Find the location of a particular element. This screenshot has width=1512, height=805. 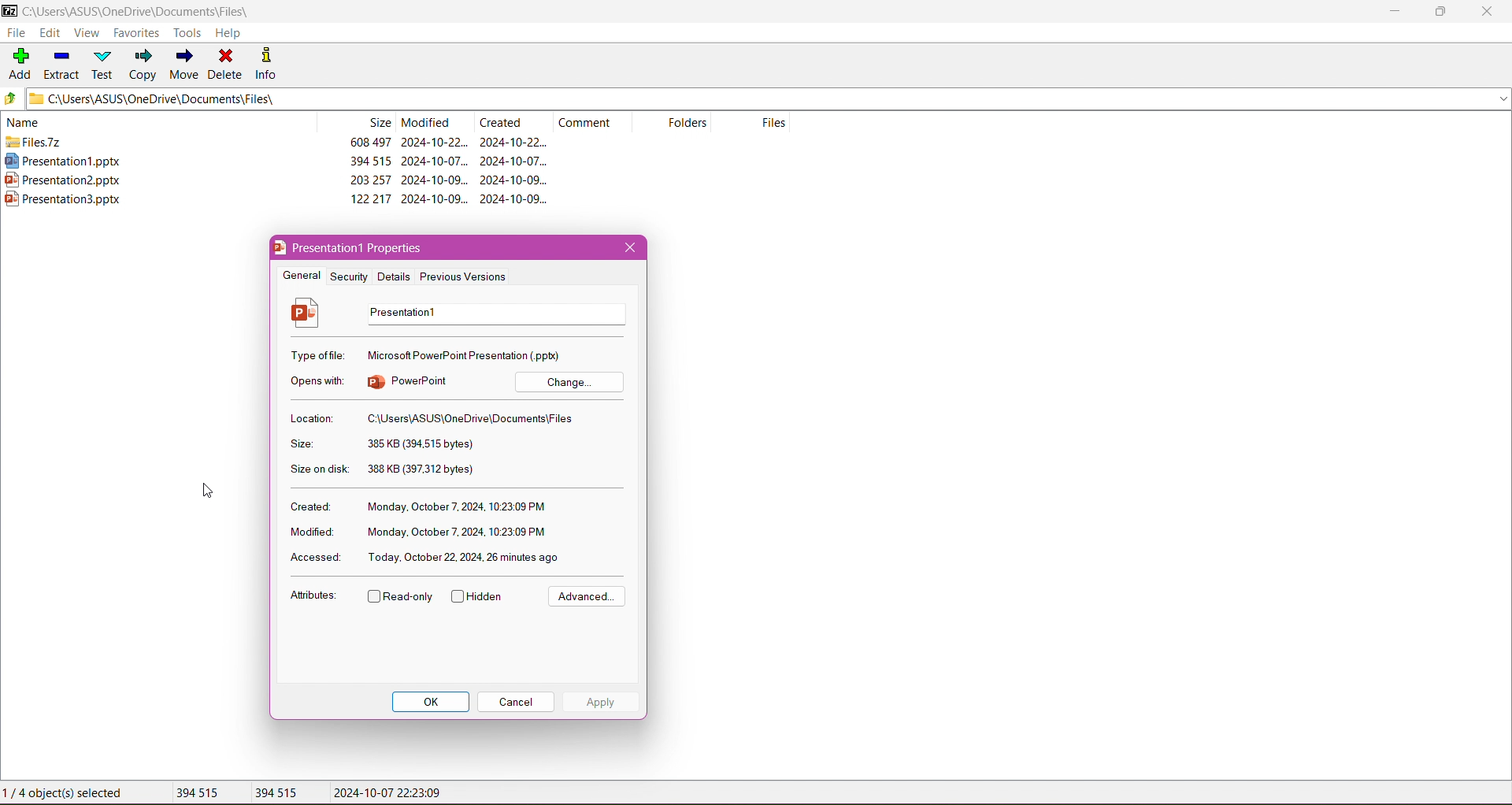

Location: is located at coordinates (314, 418).